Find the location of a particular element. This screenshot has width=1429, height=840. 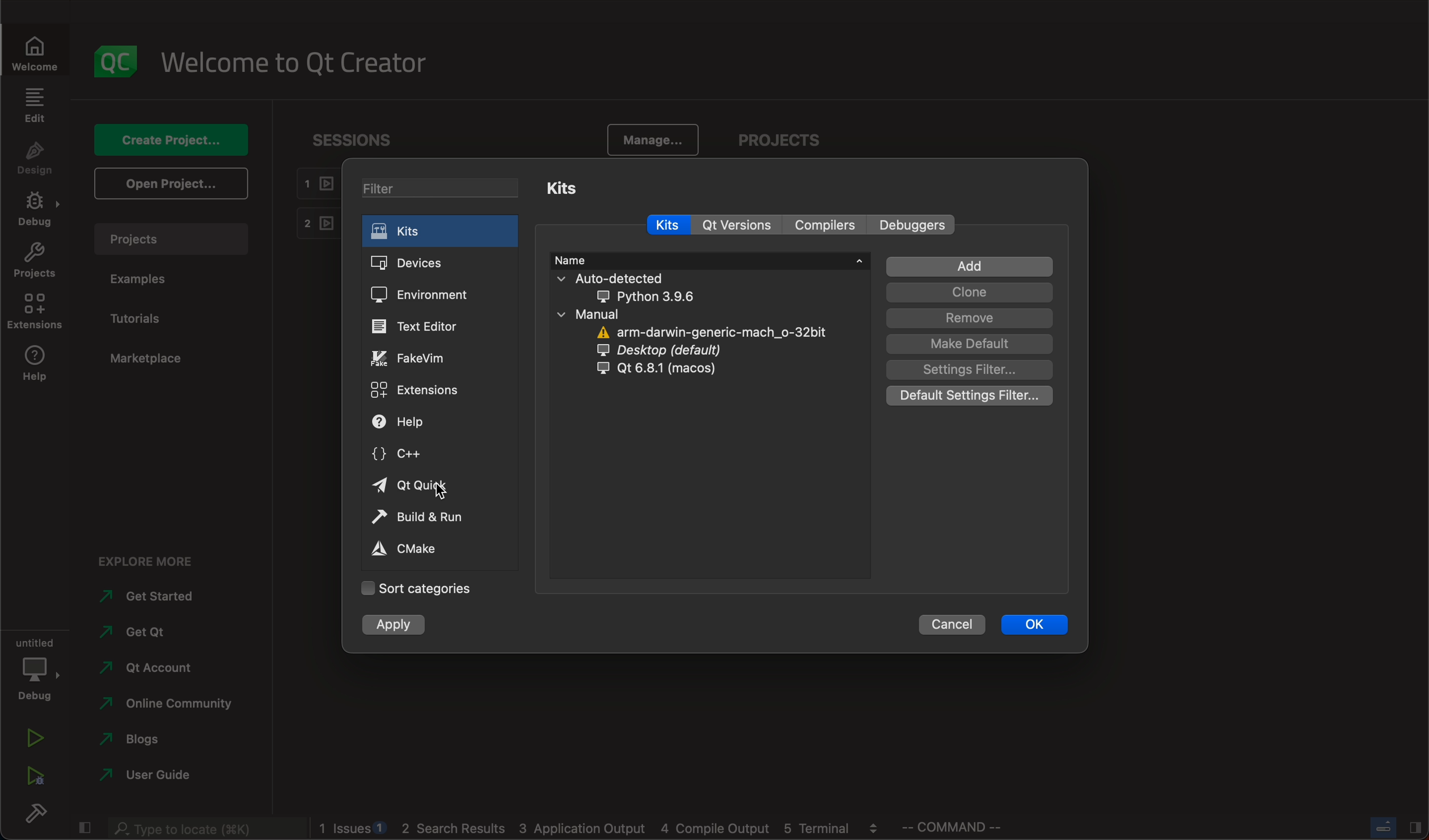

debuggers is located at coordinates (915, 226).